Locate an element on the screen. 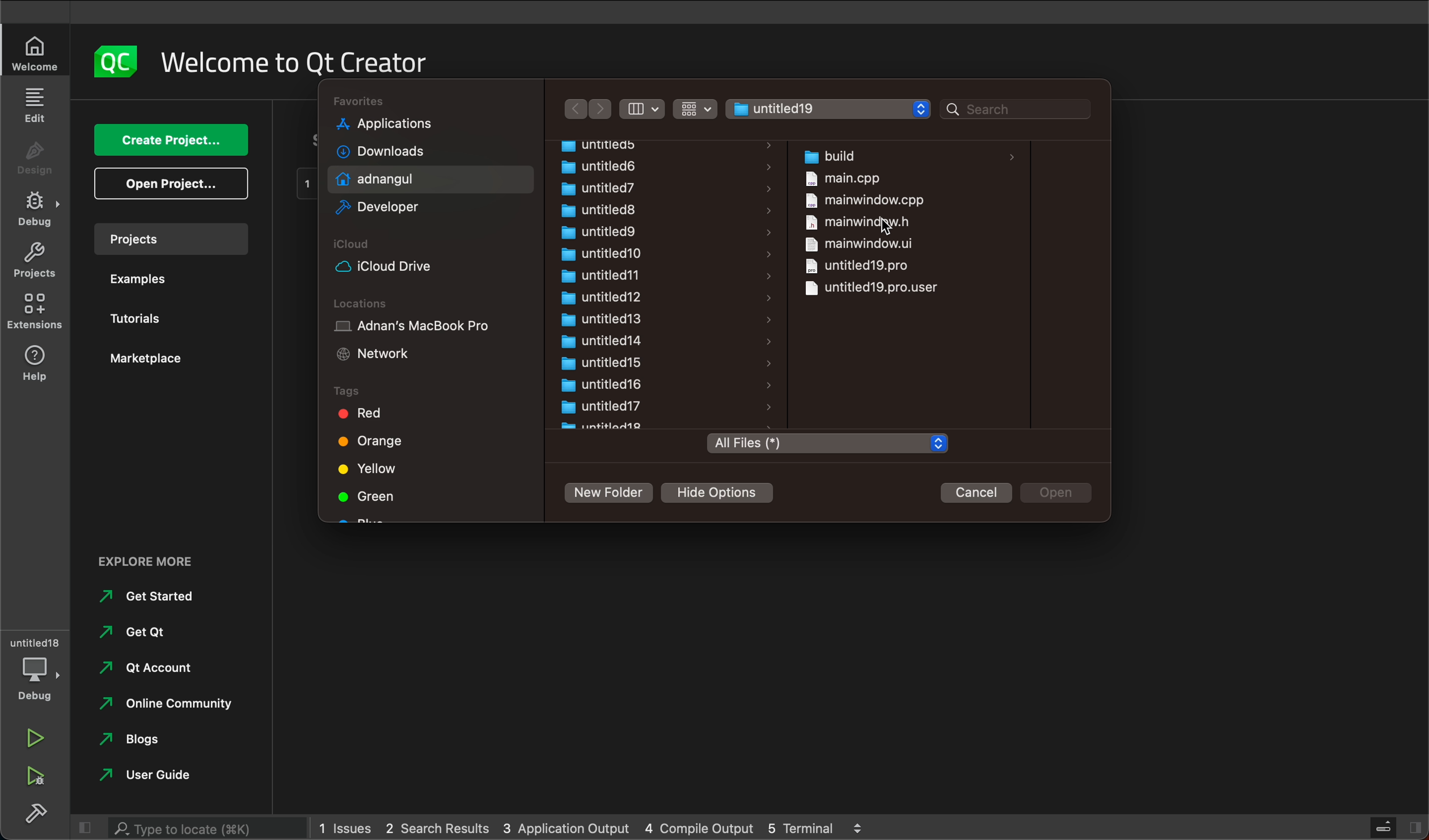  welcome is located at coordinates (33, 54).